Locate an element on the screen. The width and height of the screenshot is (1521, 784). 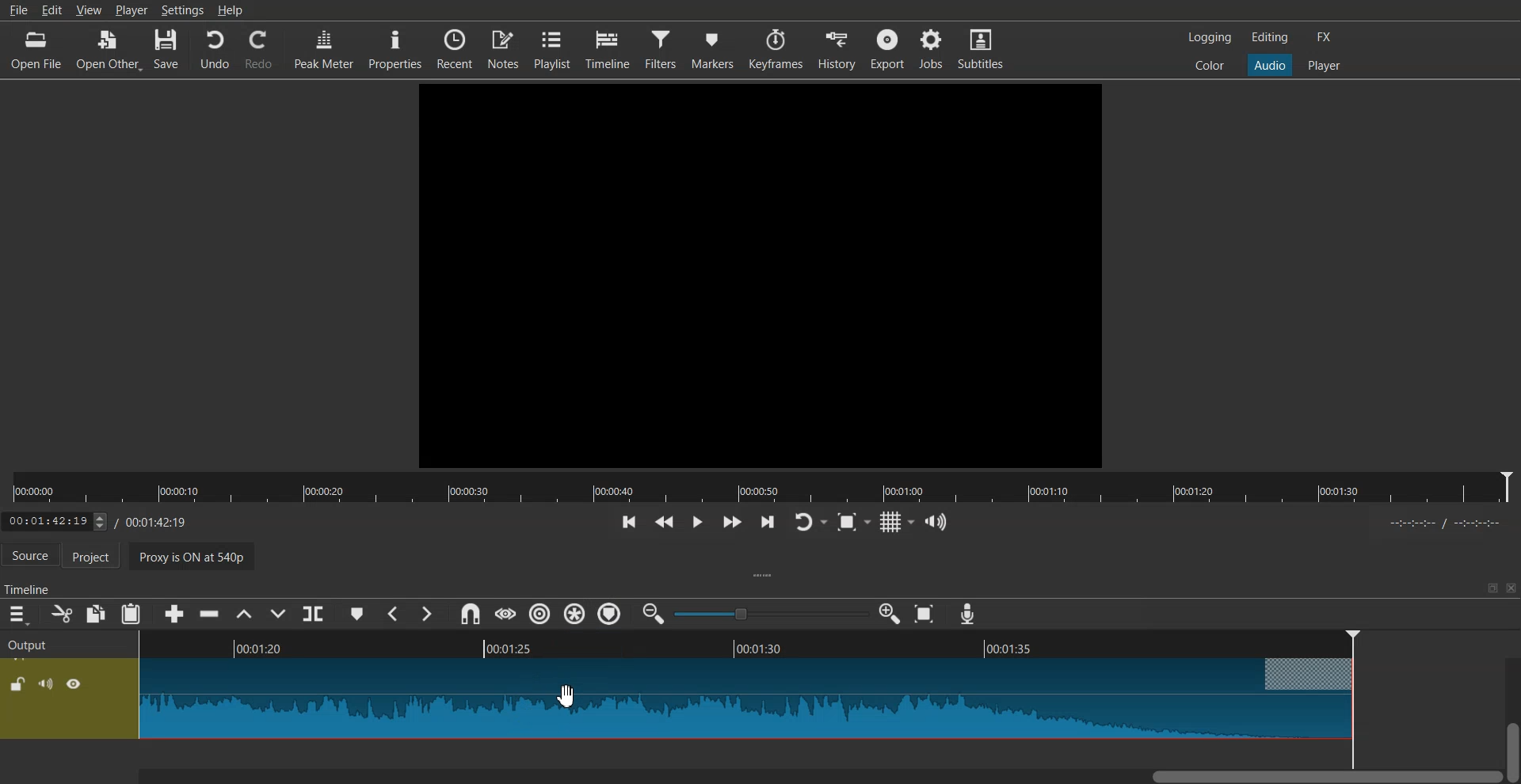
Jobs is located at coordinates (932, 49).